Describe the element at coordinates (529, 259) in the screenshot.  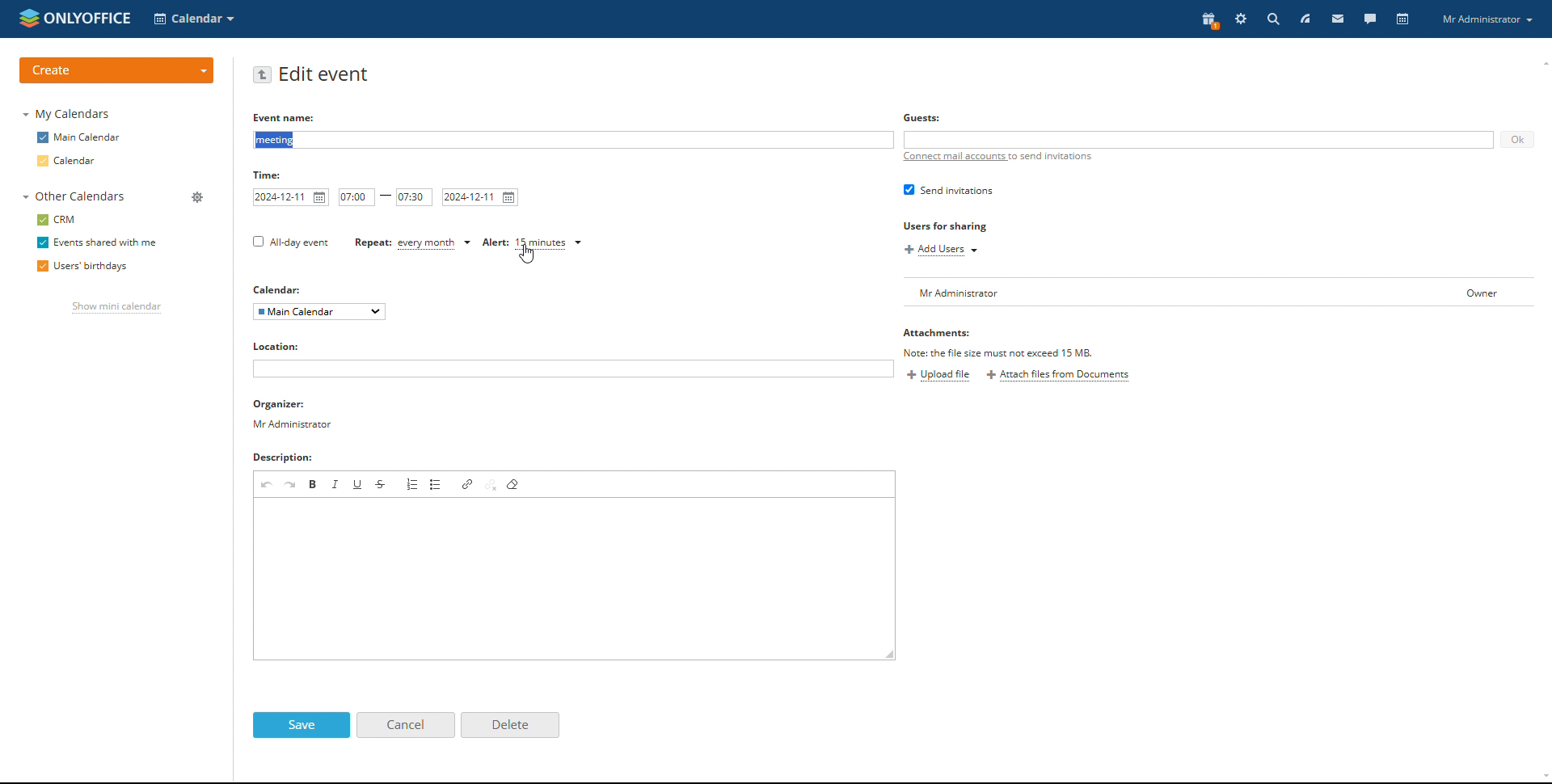
I see `cursor` at that location.